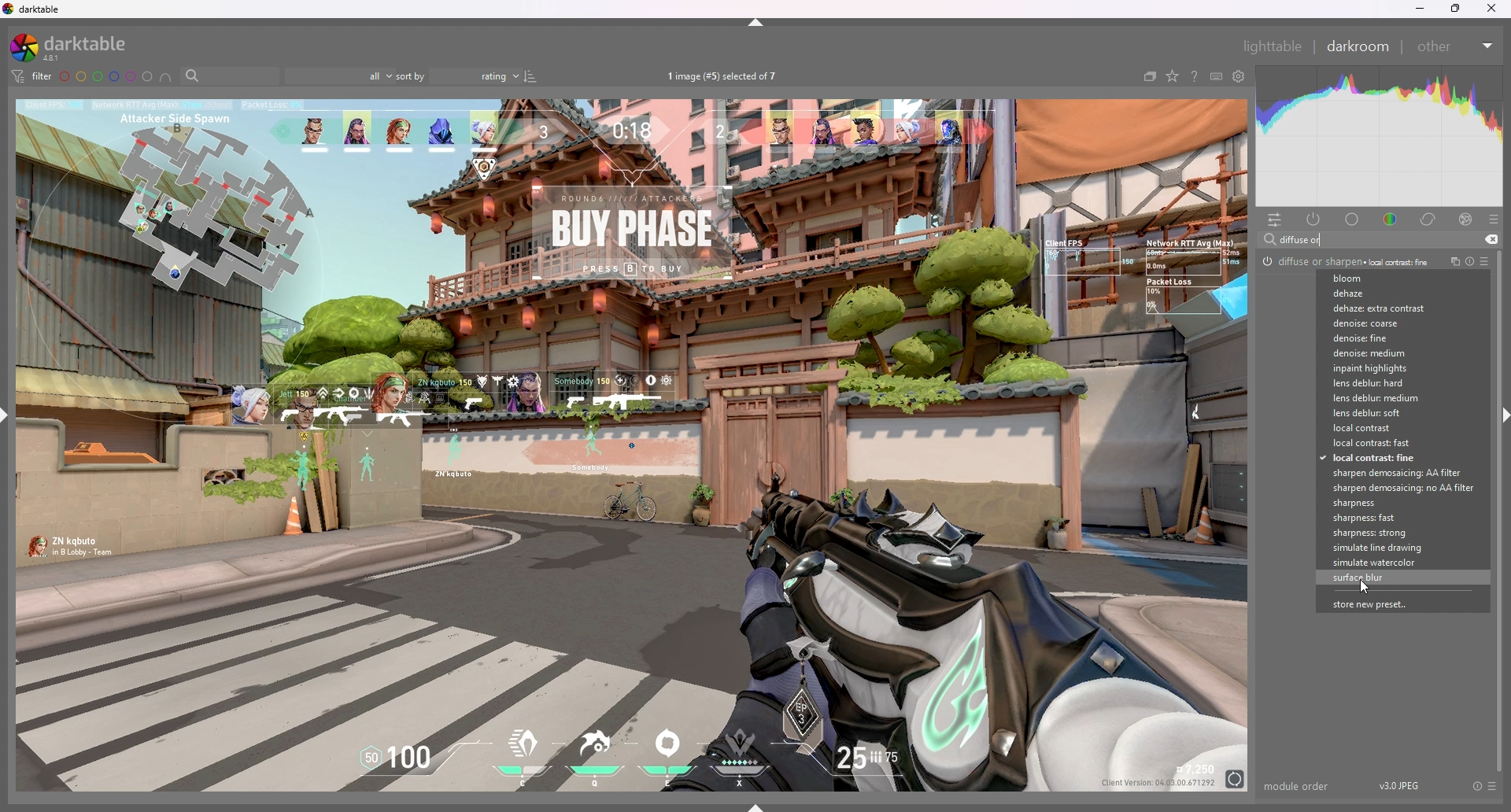  I want to click on images selected, so click(725, 76).